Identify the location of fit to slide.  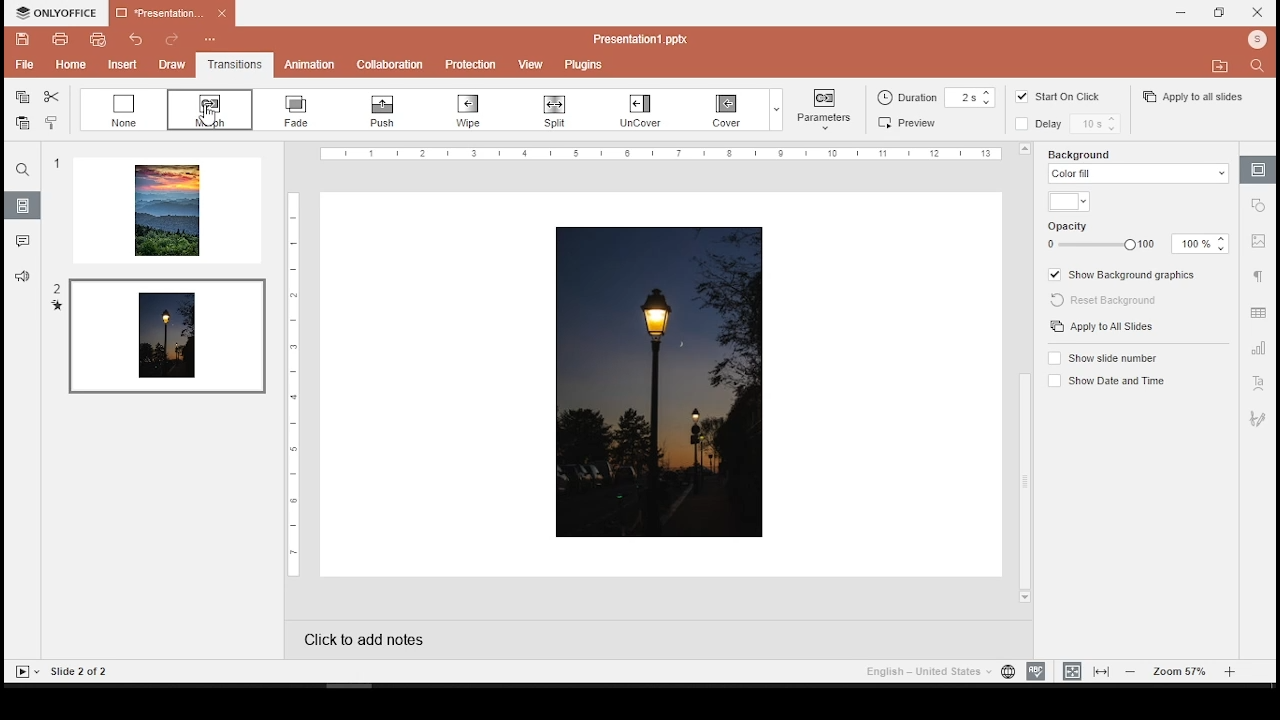
(1072, 671).